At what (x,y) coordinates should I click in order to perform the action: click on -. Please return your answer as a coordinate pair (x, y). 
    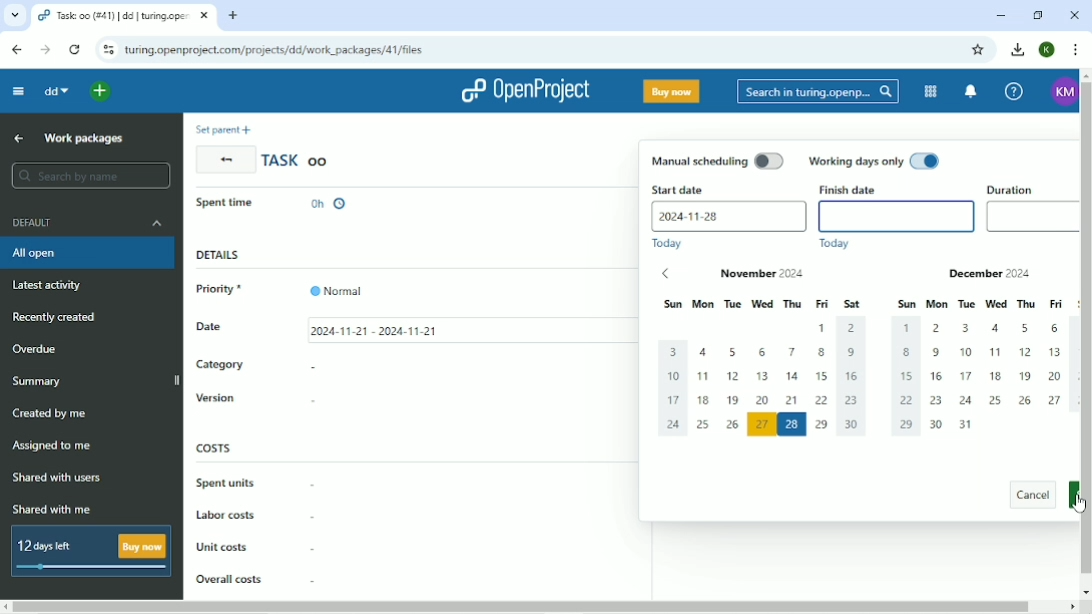
    Looking at the image, I should click on (312, 546).